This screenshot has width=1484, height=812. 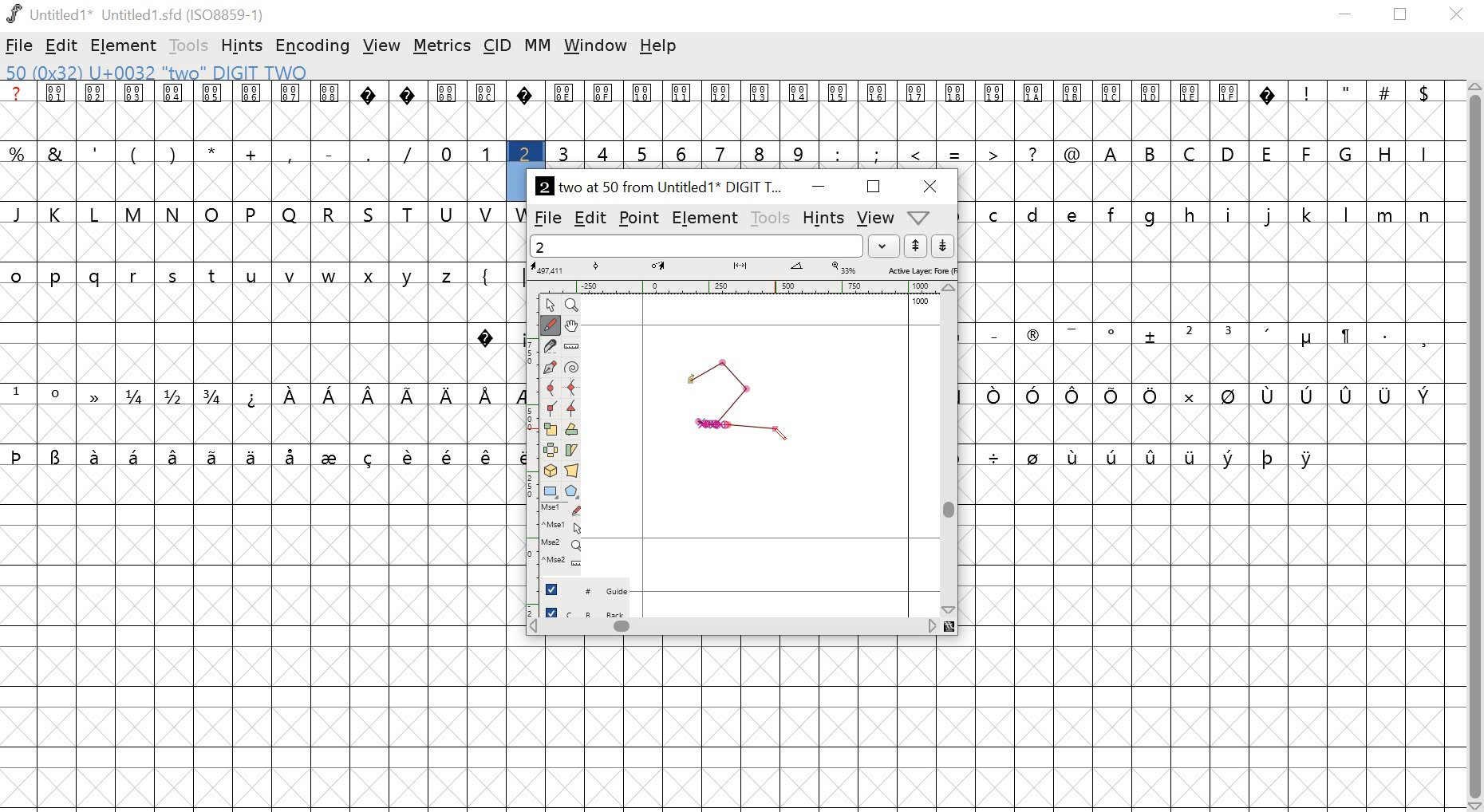 What do you see at coordinates (535, 47) in the screenshot?
I see `MM` at bounding box center [535, 47].